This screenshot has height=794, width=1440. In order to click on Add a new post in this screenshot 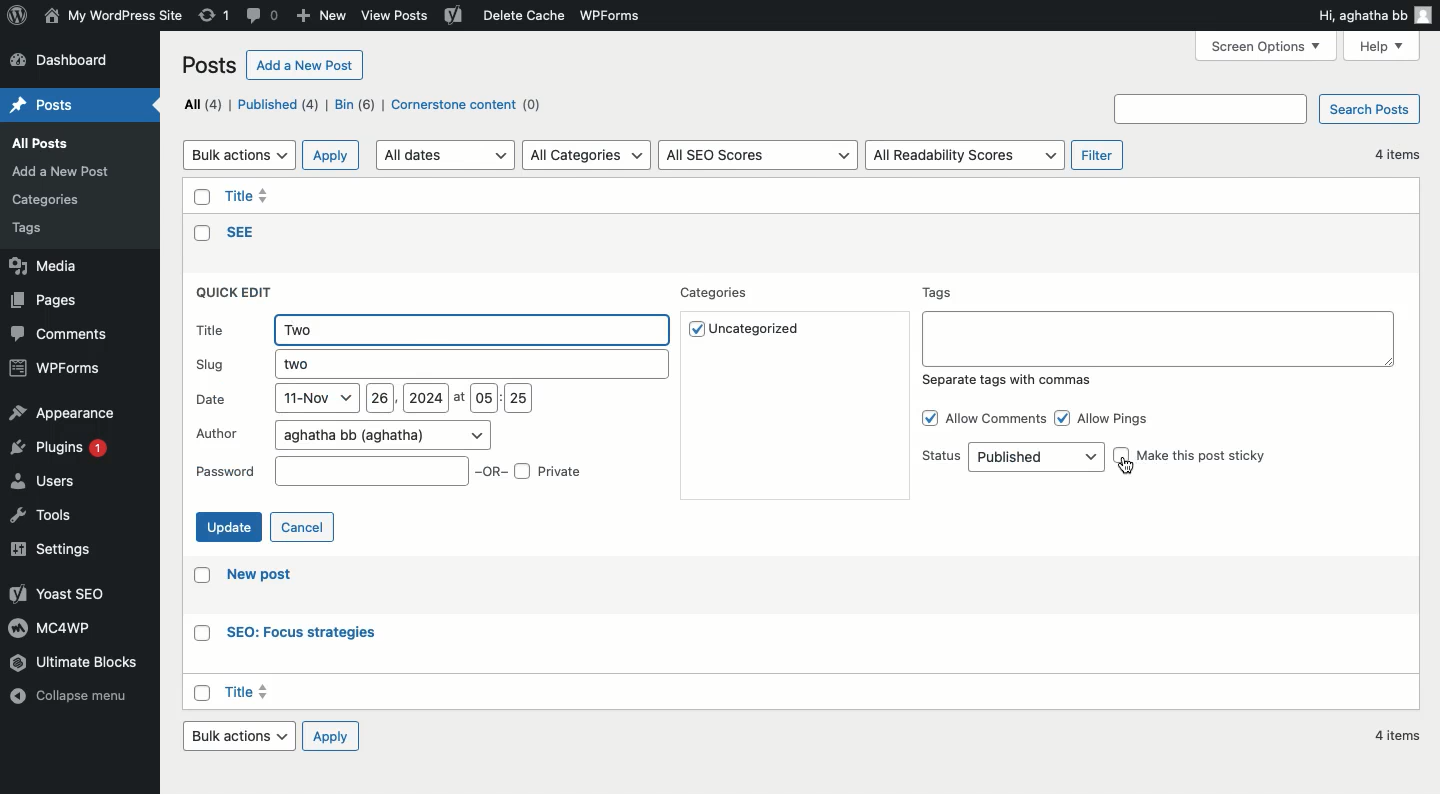, I will do `click(307, 66)`.